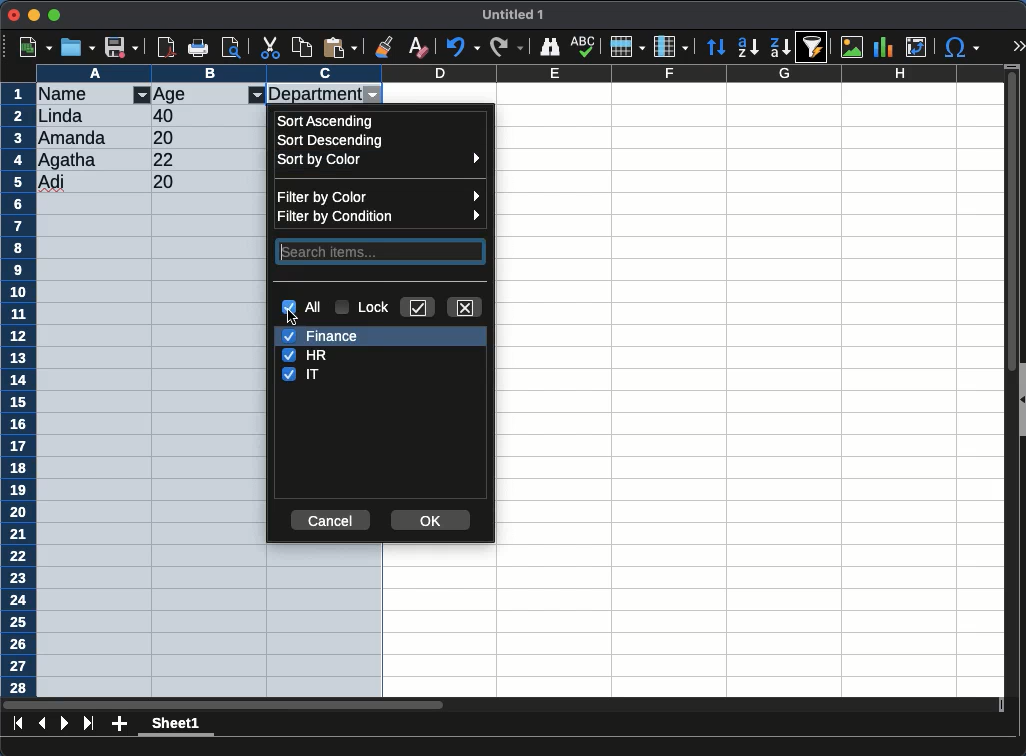 Image resolution: width=1026 pixels, height=756 pixels. Describe the element at coordinates (59, 116) in the screenshot. I see `linda` at that location.